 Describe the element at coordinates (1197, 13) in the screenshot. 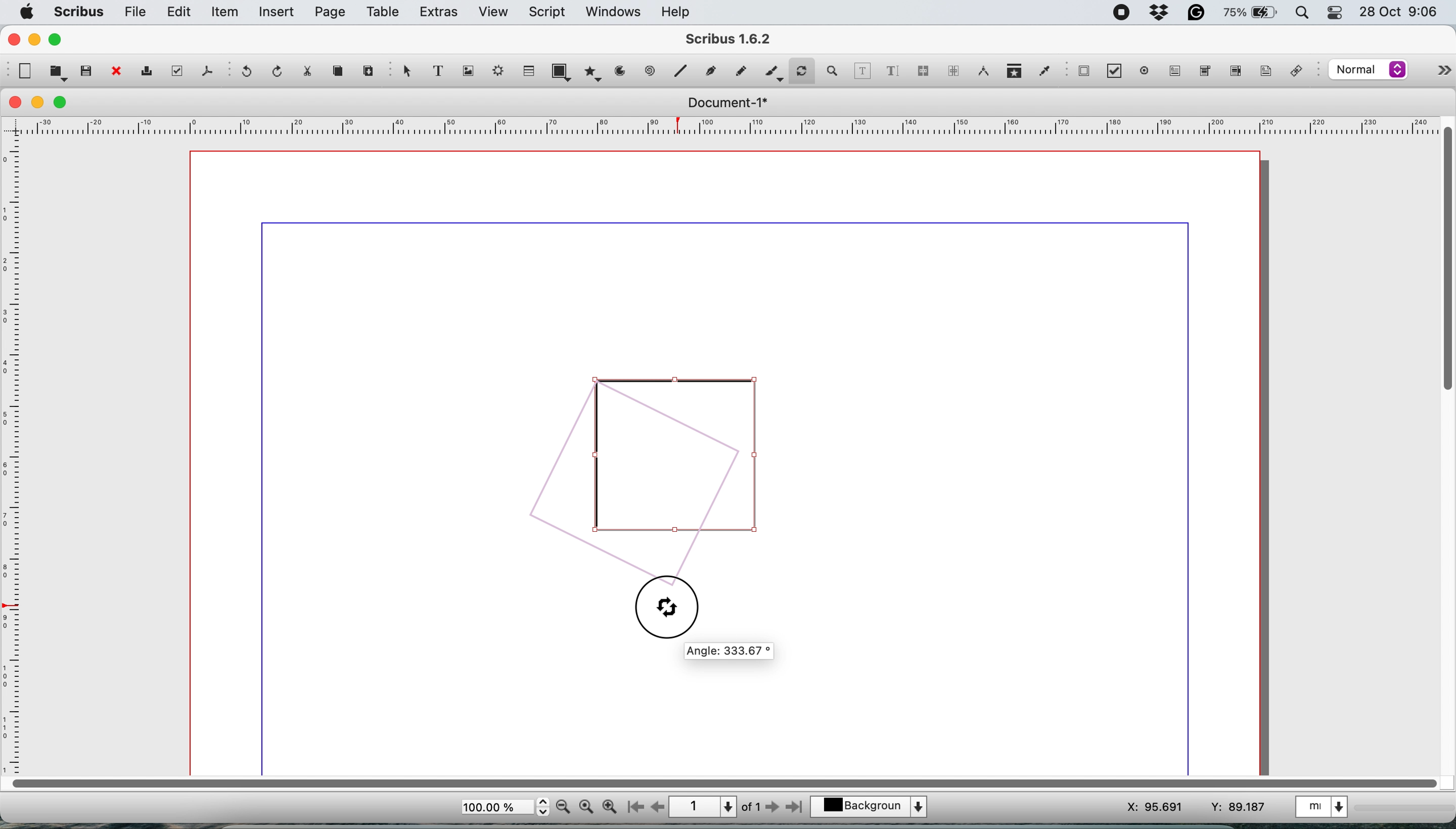

I see `grammarly` at that location.